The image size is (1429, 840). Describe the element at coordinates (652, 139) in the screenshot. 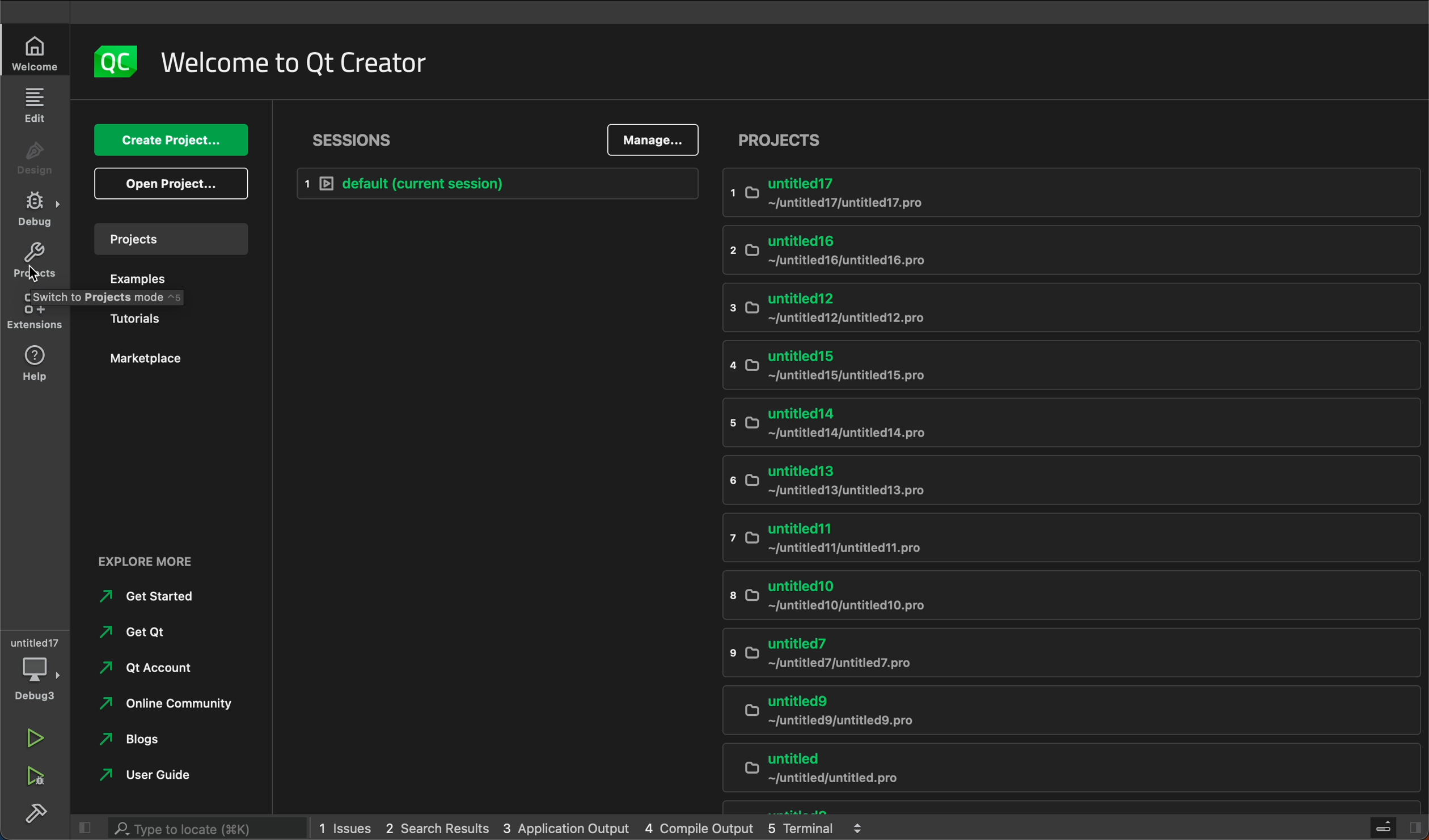

I see `manage` at that location.